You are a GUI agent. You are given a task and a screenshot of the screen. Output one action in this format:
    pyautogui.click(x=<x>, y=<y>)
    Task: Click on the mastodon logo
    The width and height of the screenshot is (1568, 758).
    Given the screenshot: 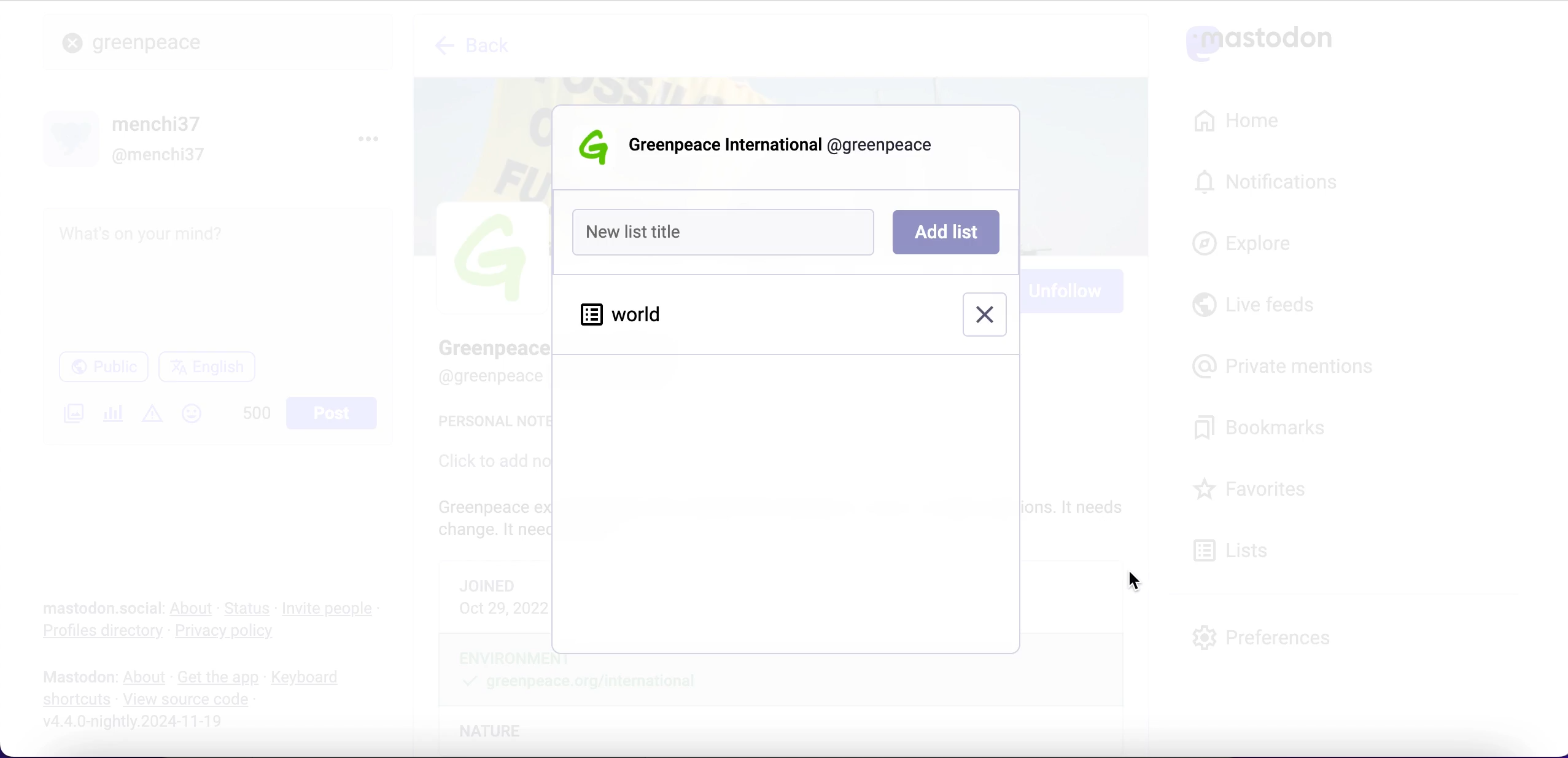 What is the action you would take?
    pyautogui.click(x=1259, y=40)
    